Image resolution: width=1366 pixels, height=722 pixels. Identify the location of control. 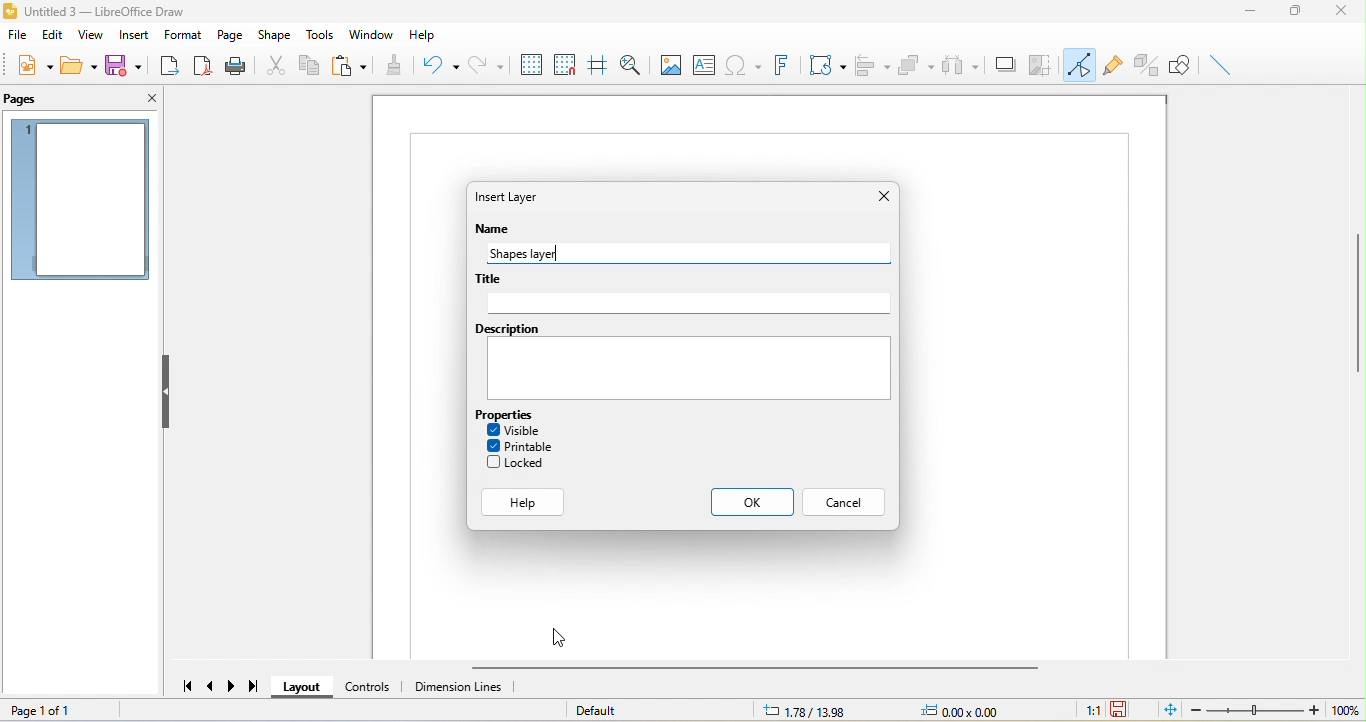
(369, 687).